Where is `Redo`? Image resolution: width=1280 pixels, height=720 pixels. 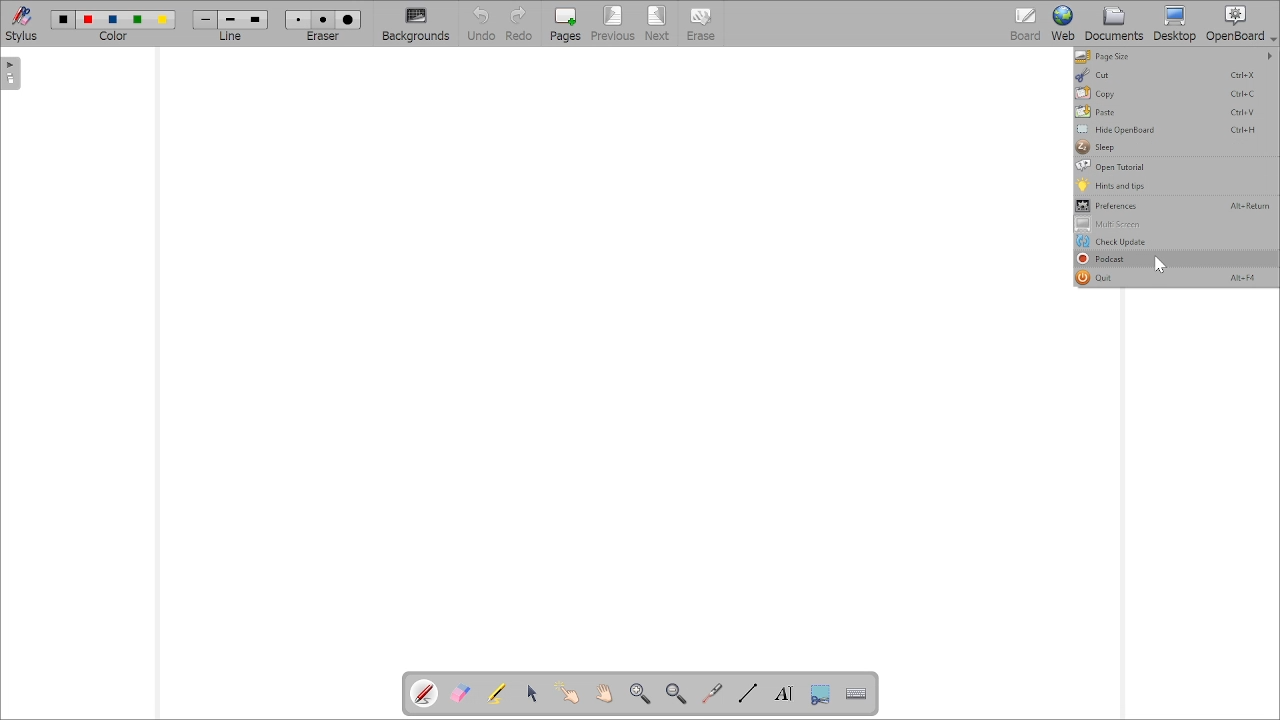
Redo is located at coordinates (519, 23).